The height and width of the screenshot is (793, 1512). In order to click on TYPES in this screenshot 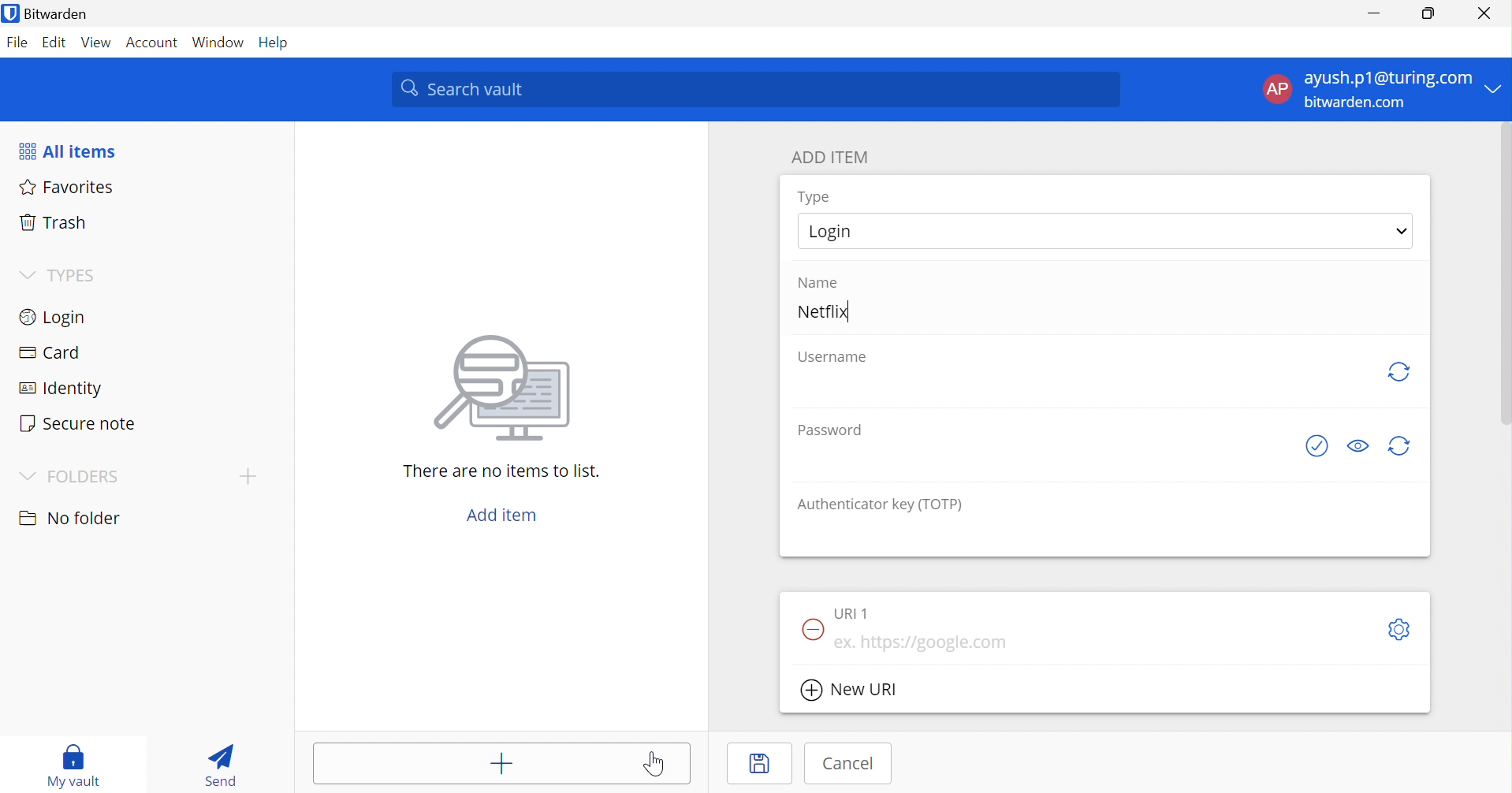, I will do `click(60, 275)`.